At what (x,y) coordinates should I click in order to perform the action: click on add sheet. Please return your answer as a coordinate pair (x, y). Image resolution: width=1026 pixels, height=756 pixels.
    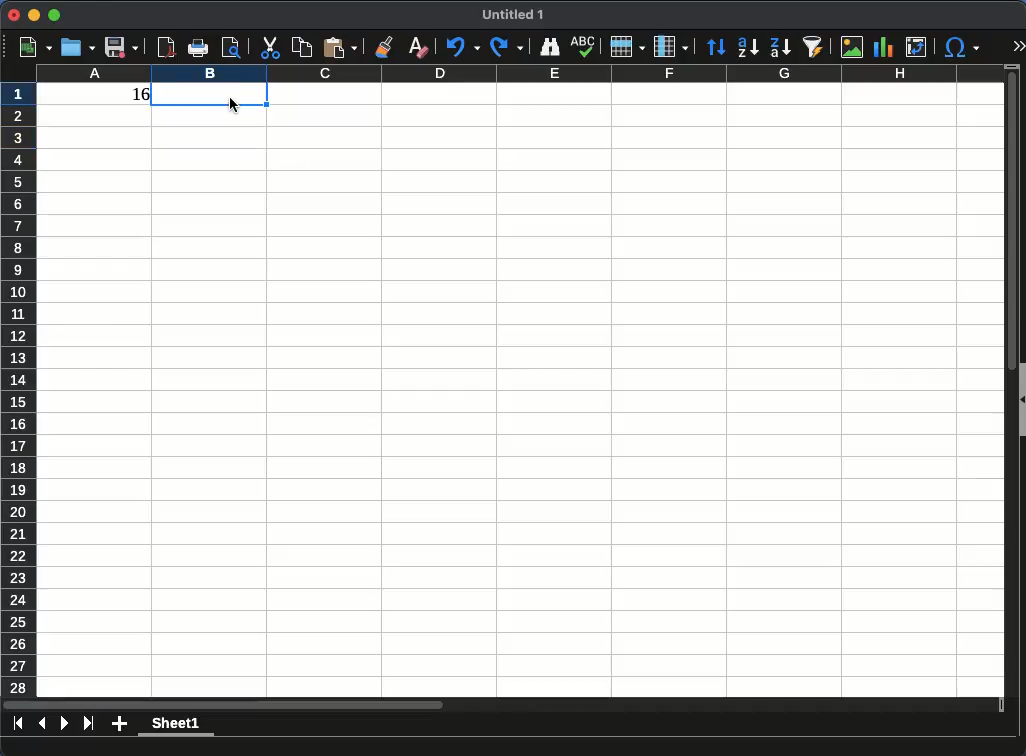
    Looking at the image, I should click on (119, 725).